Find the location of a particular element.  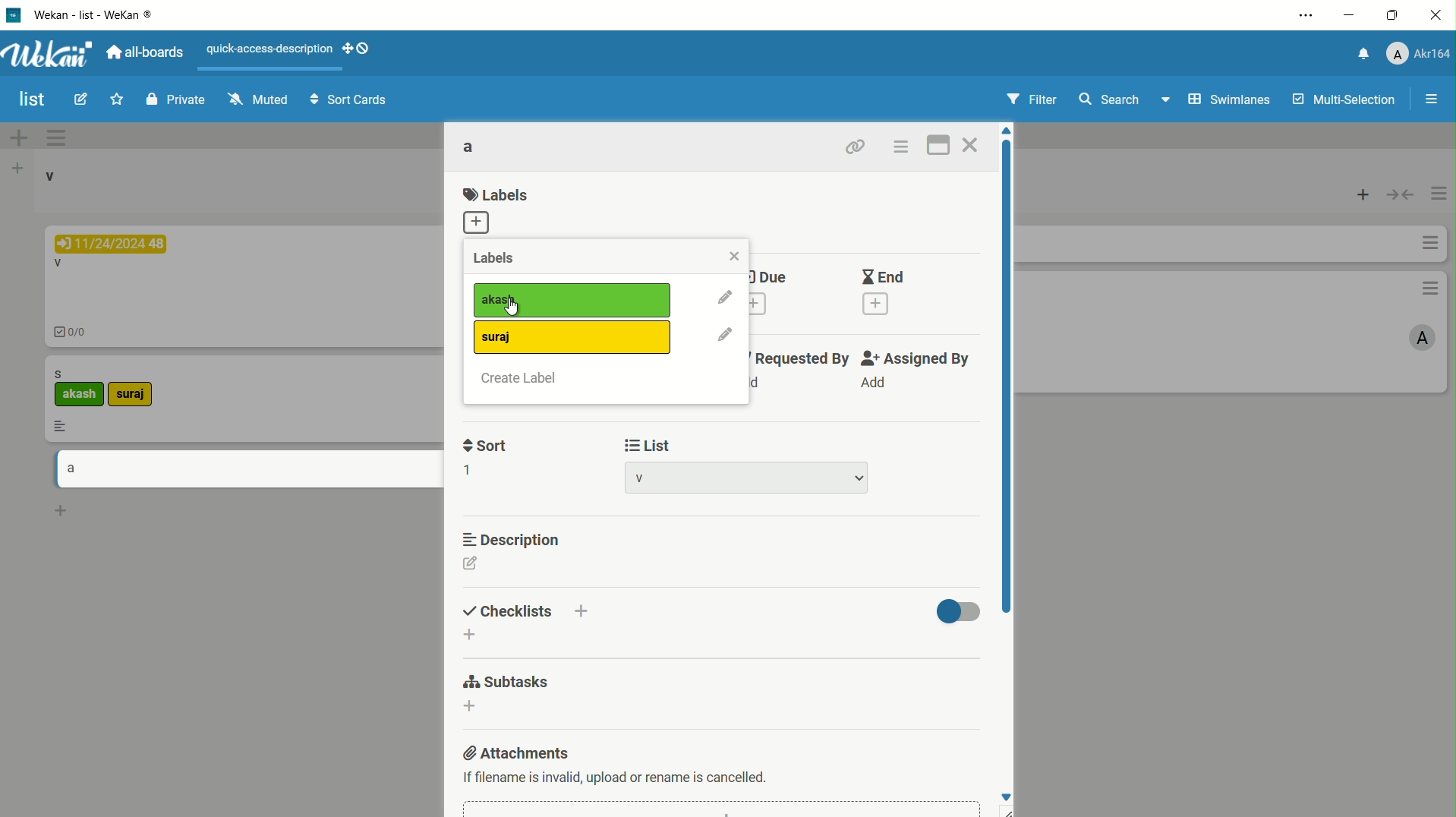

0/0 is located at coordinates (77, 332).